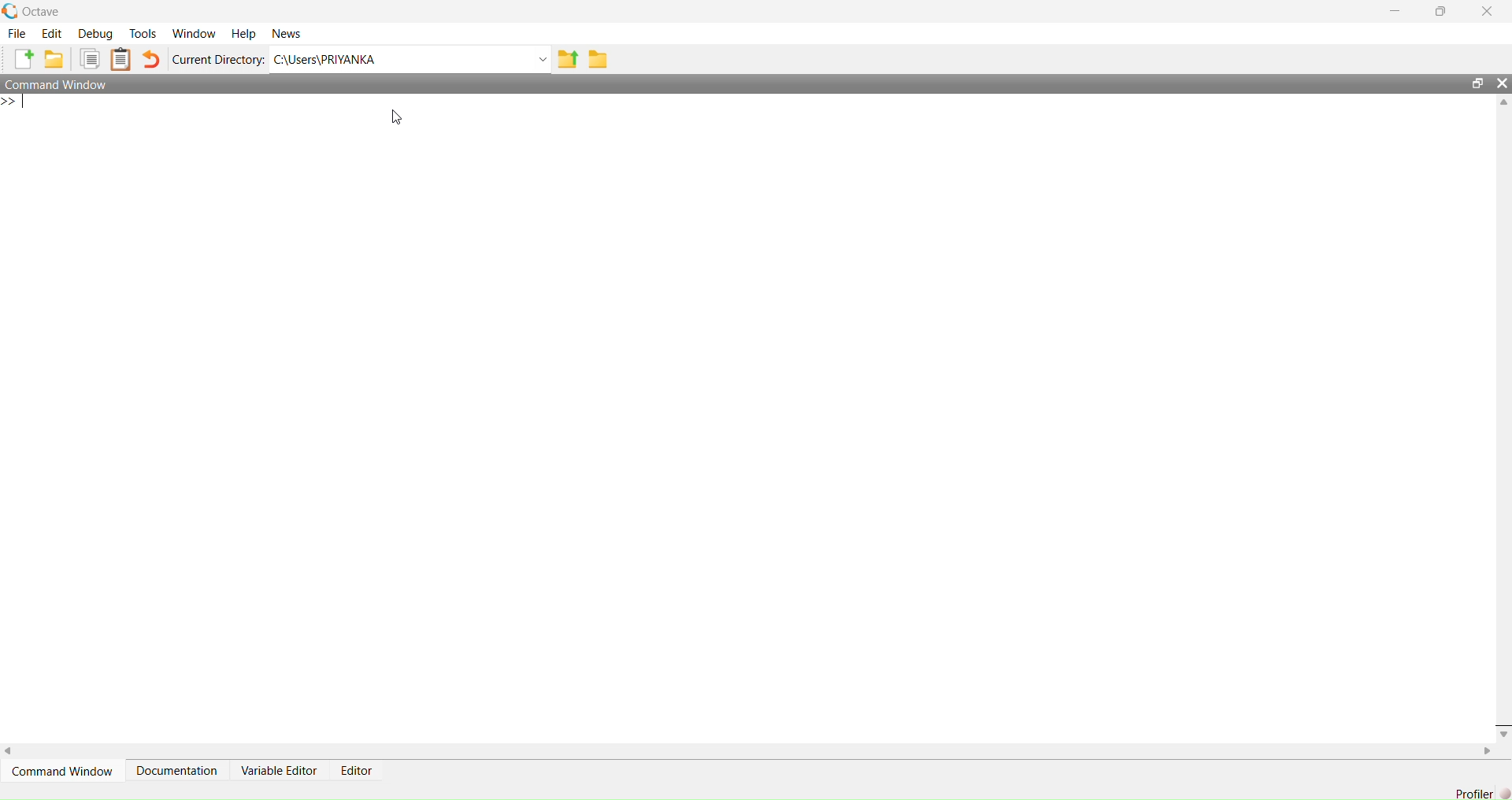  I want to click on Undo, so click(154, 61).